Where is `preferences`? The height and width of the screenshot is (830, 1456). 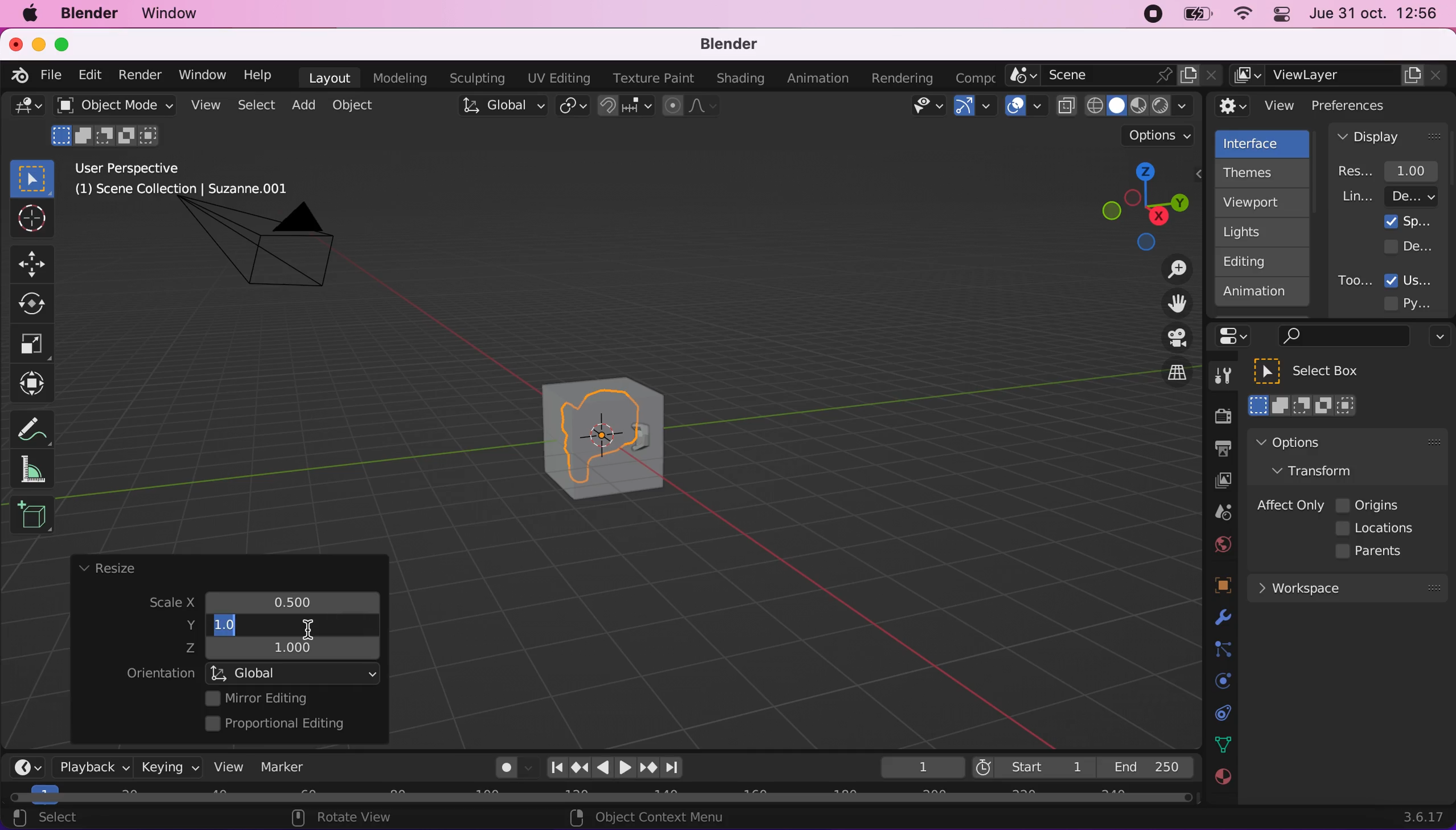 preferences is located at coordinates (1368, 105).